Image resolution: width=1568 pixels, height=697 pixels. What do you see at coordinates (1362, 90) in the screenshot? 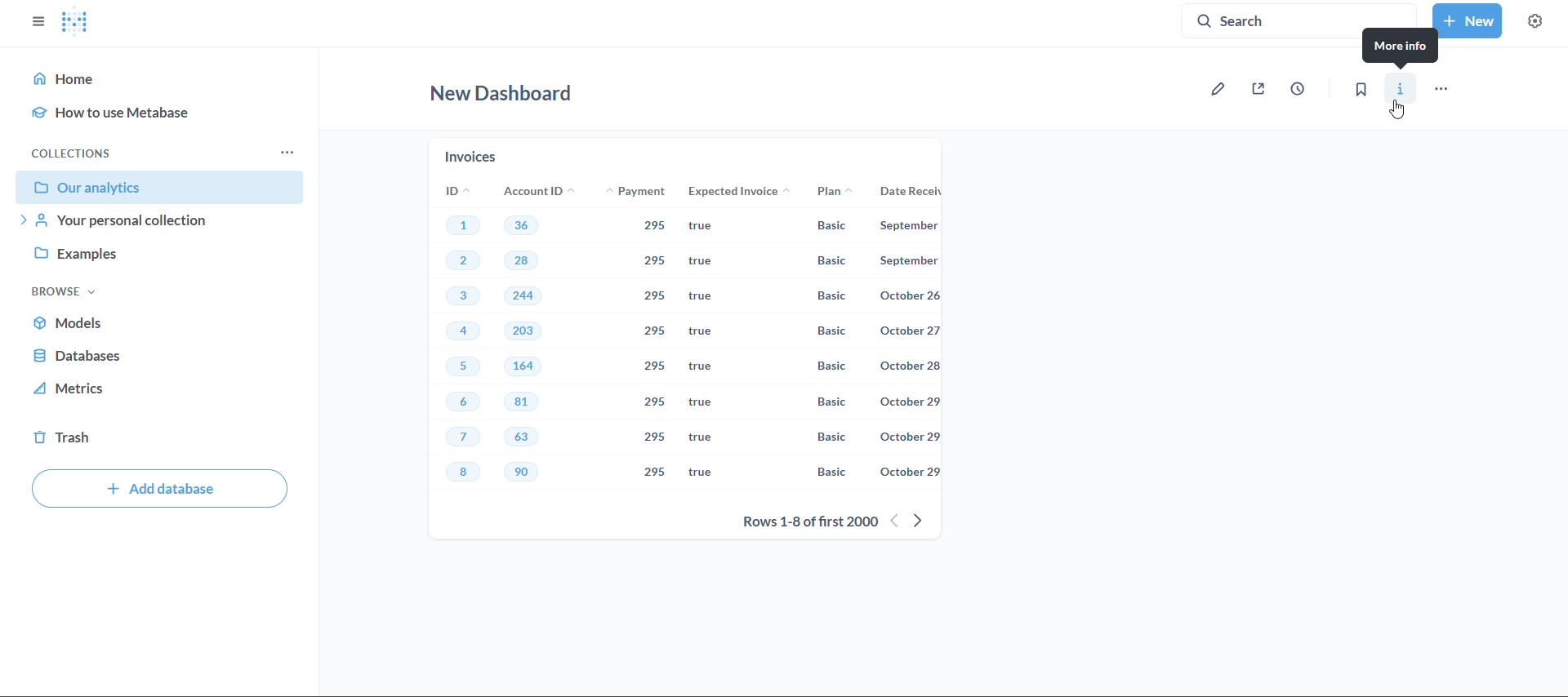
I see `bookmark` at bounding box center [1362, 90].